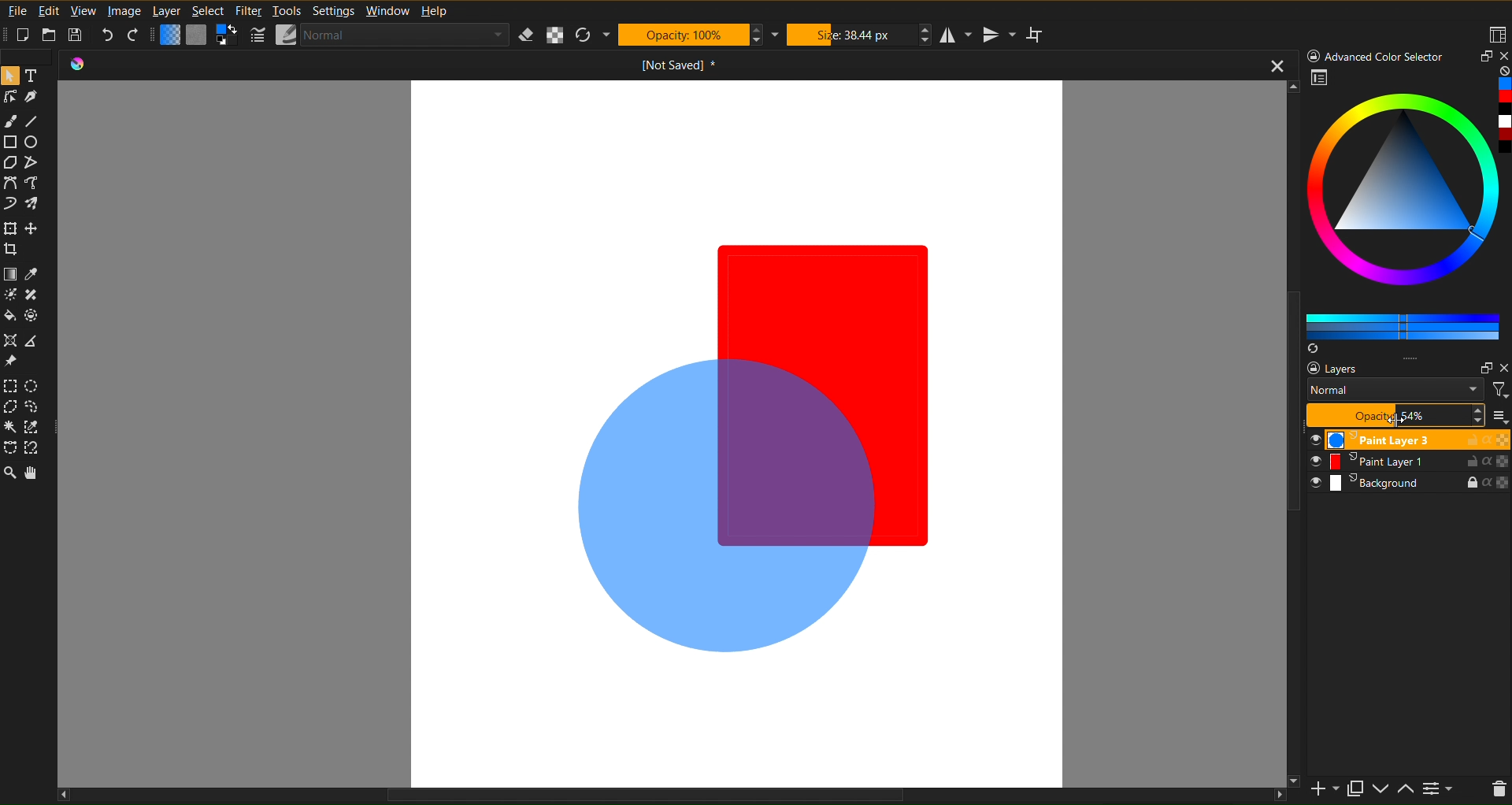  Describe the element at coordinates (1408, 213) in the screenshot. I see `Advanced Color Selector` at that location.